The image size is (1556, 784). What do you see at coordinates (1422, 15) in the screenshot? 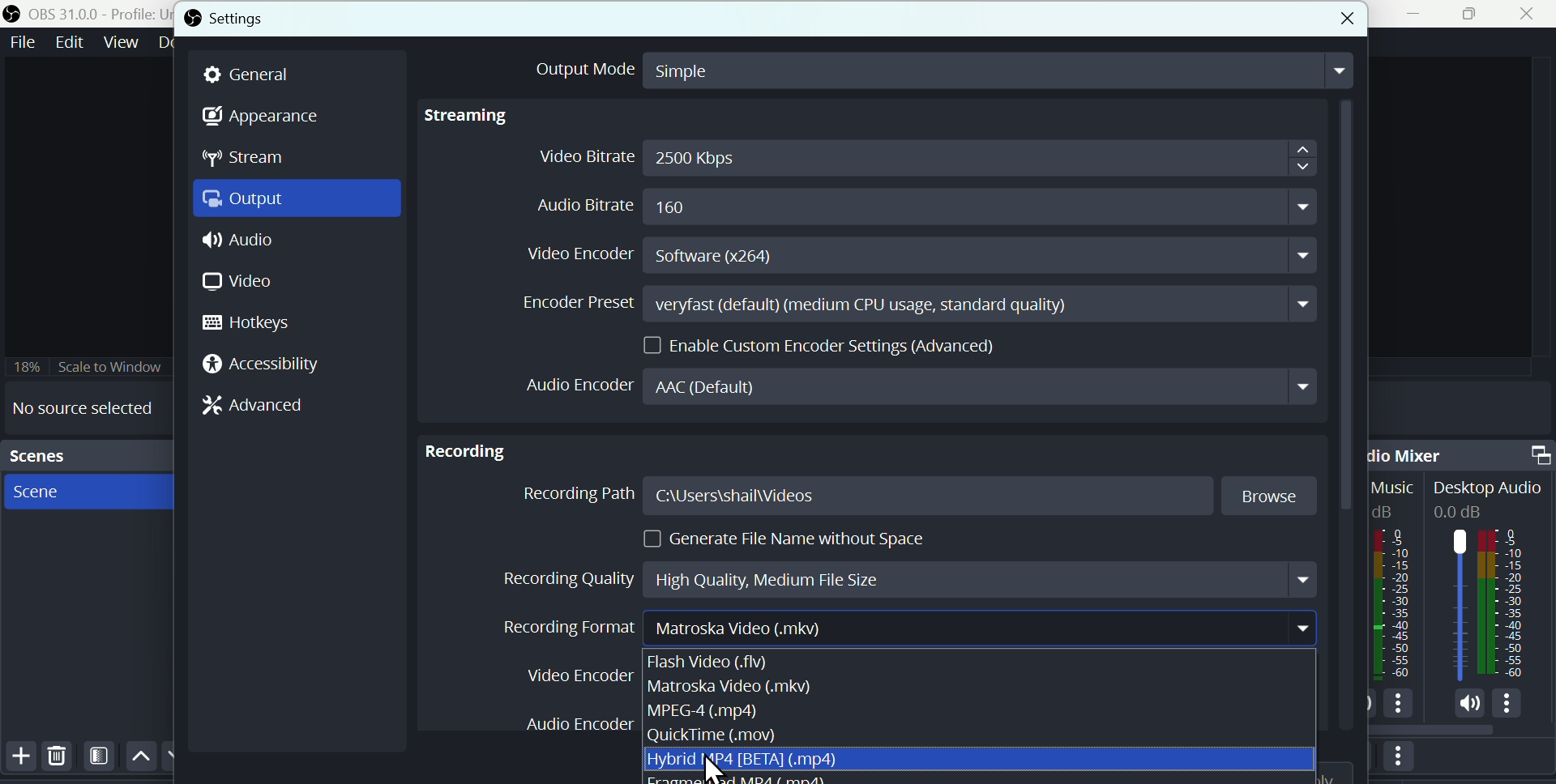
I see `minimise` at bounding box center [1422, 15].